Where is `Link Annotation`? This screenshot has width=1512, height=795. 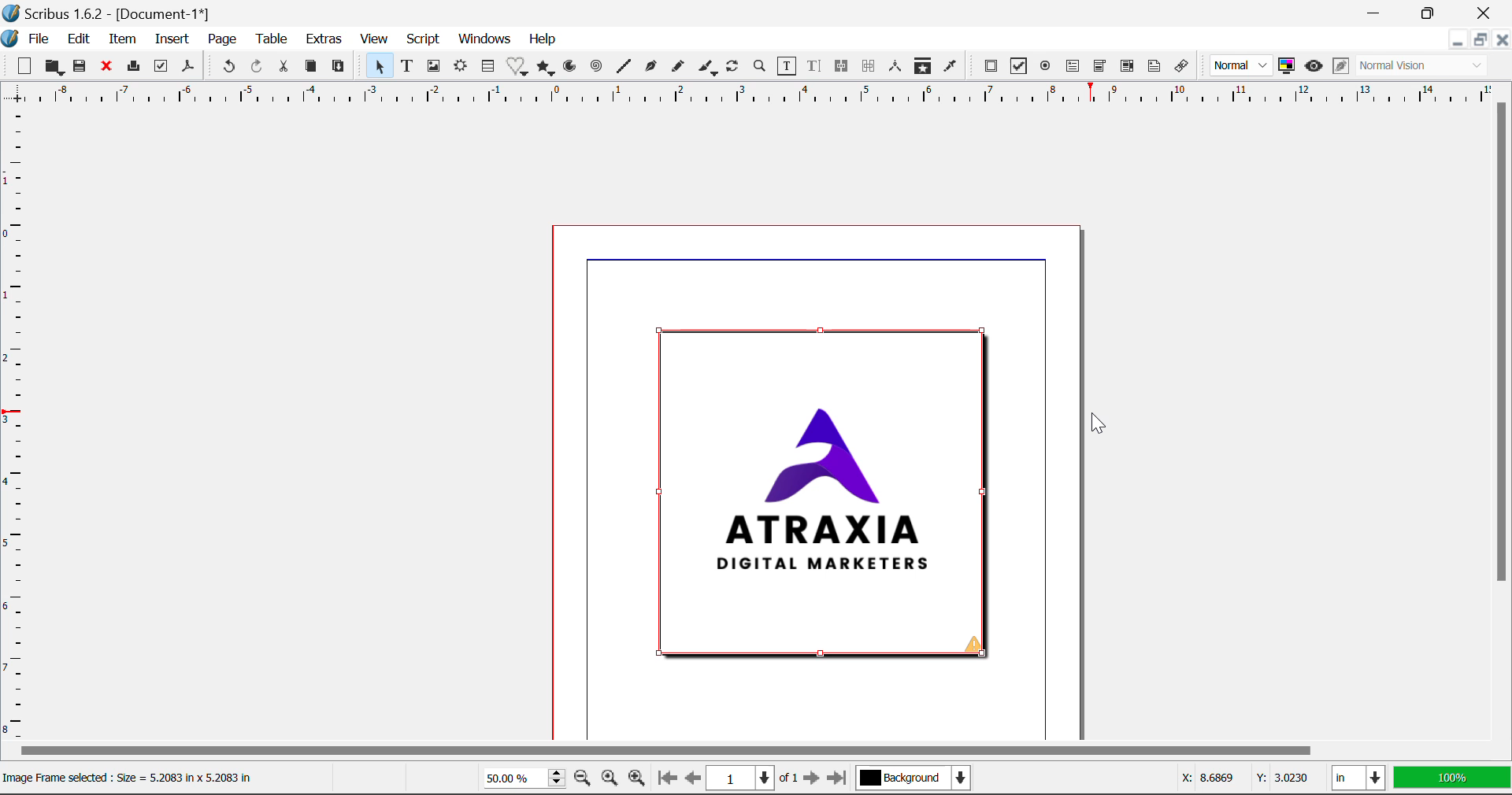
Link Annotation is located at coordinates (1184, 68).